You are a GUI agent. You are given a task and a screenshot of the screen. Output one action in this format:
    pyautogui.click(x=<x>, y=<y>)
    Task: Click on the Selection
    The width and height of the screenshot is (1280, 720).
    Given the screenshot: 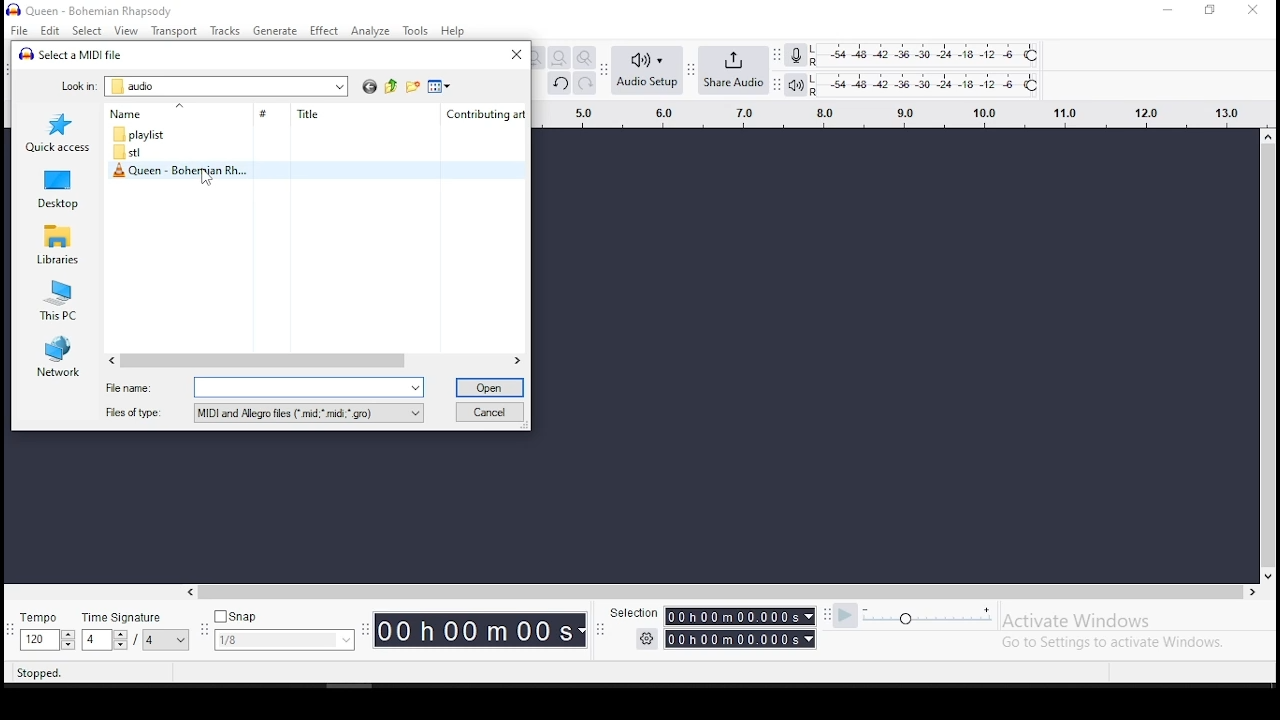 What is the action you would take?
    pyautogui.click(x=631, y=612)
    